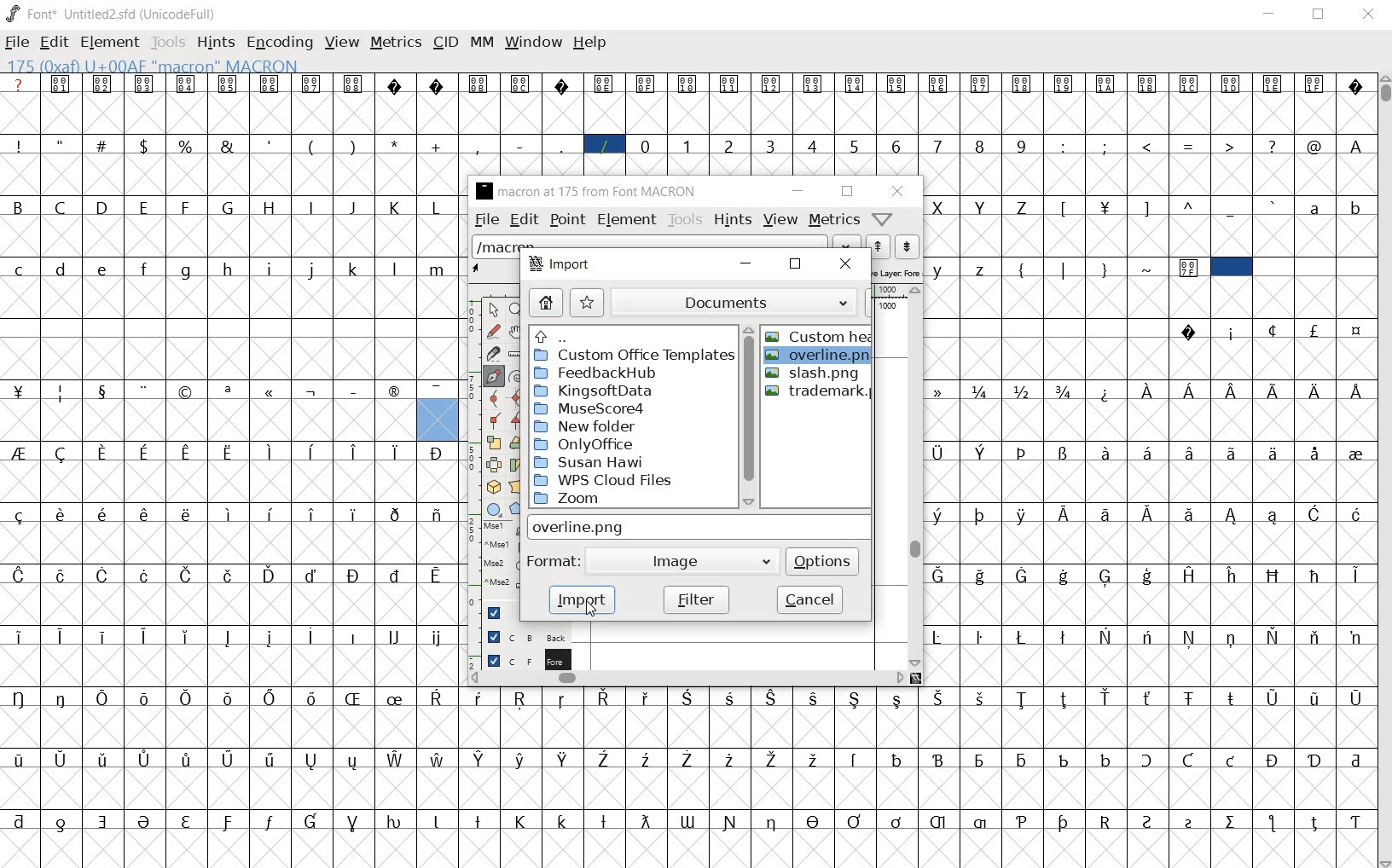 This screenshot has height=868, width=1392. Describe the element at coordinates (1066, 452) in the screenshot. I see `Symbol` at that location.